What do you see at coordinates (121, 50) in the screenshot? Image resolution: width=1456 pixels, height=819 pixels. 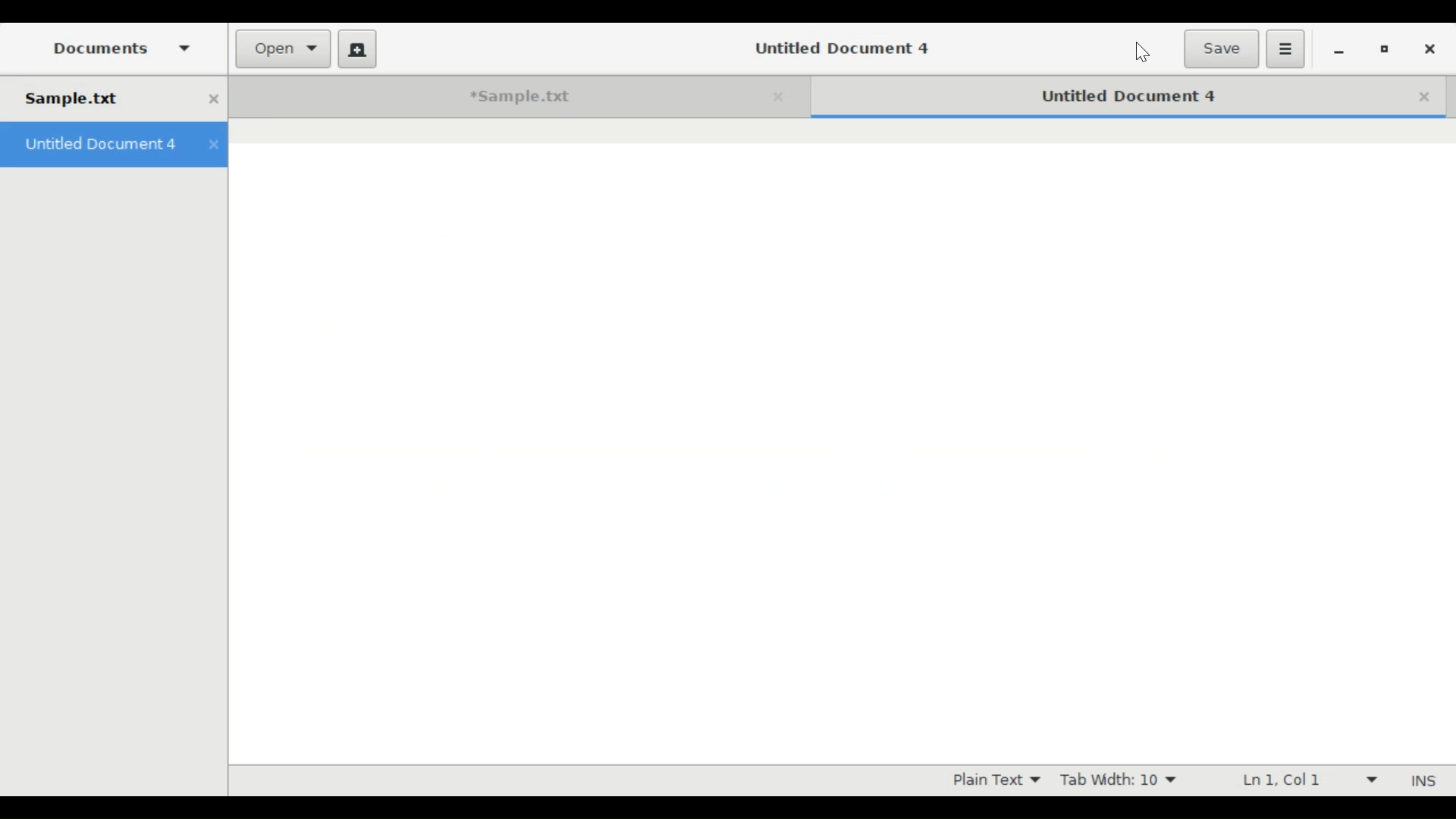 I see `Documents` at bounding box center [121, 50].